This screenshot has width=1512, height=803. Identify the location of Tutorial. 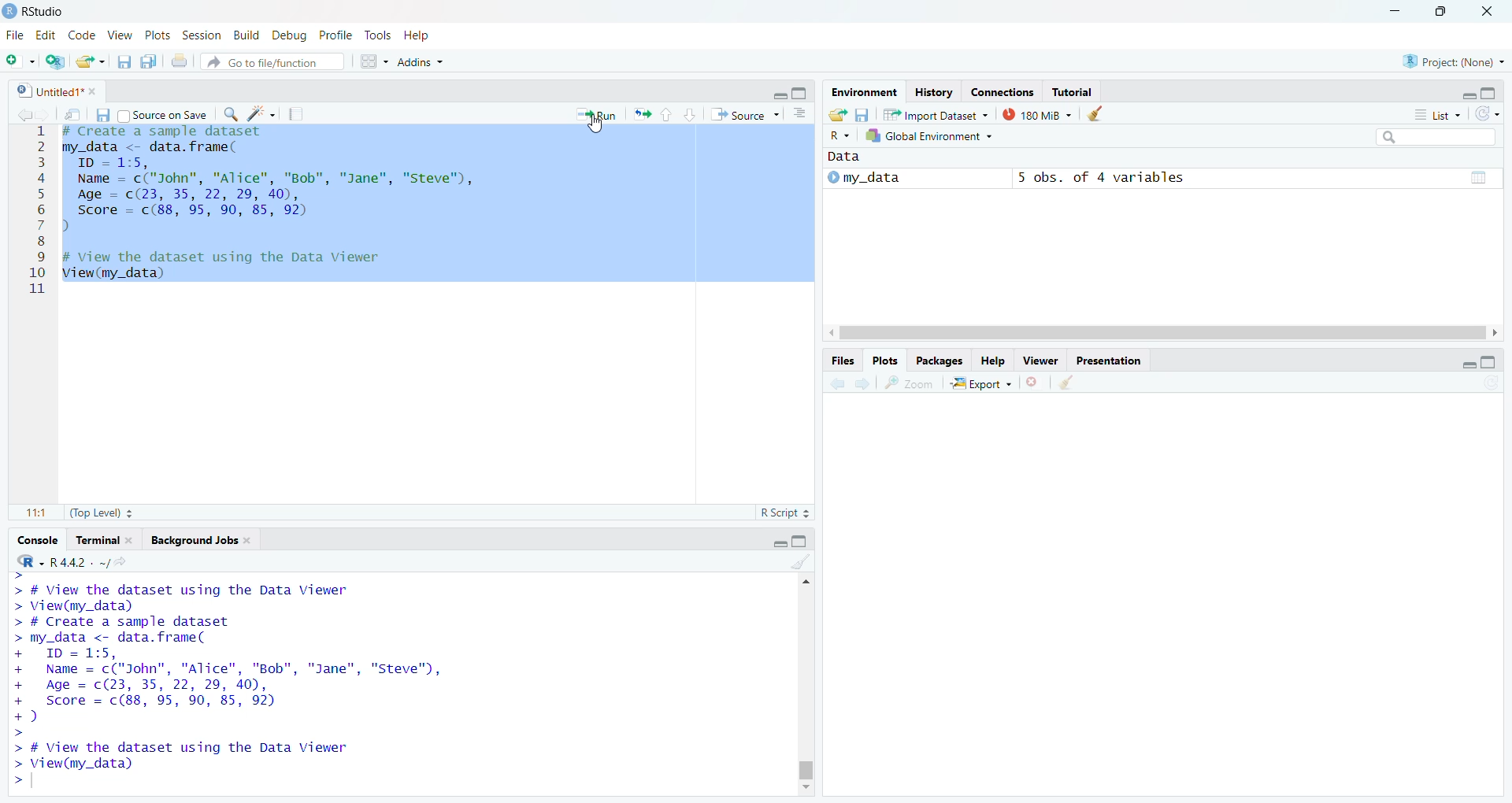
(1073, 92).